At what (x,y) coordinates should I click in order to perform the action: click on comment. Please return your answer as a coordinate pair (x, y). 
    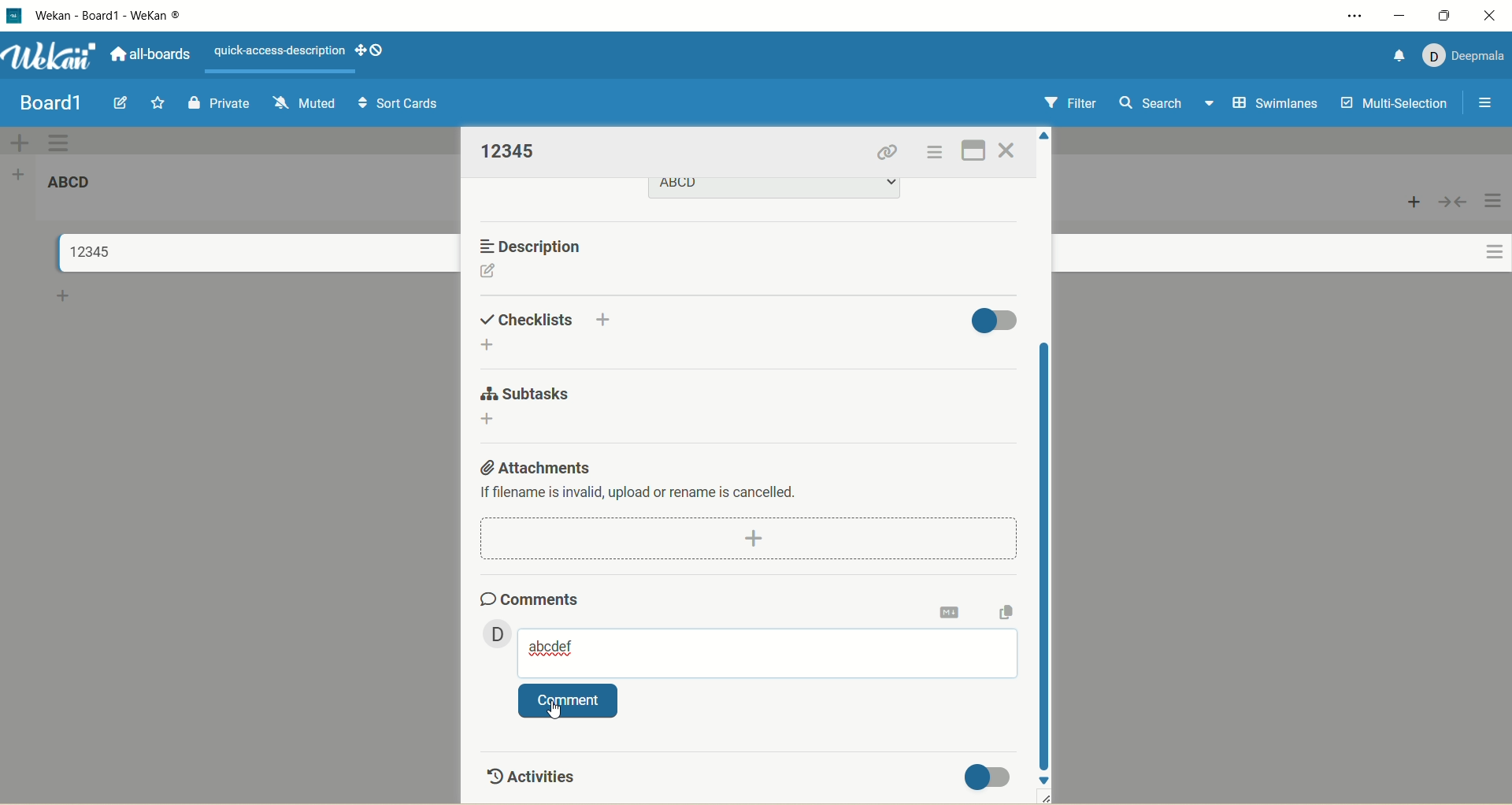
    Looking at the image, I should click on (568, 702).